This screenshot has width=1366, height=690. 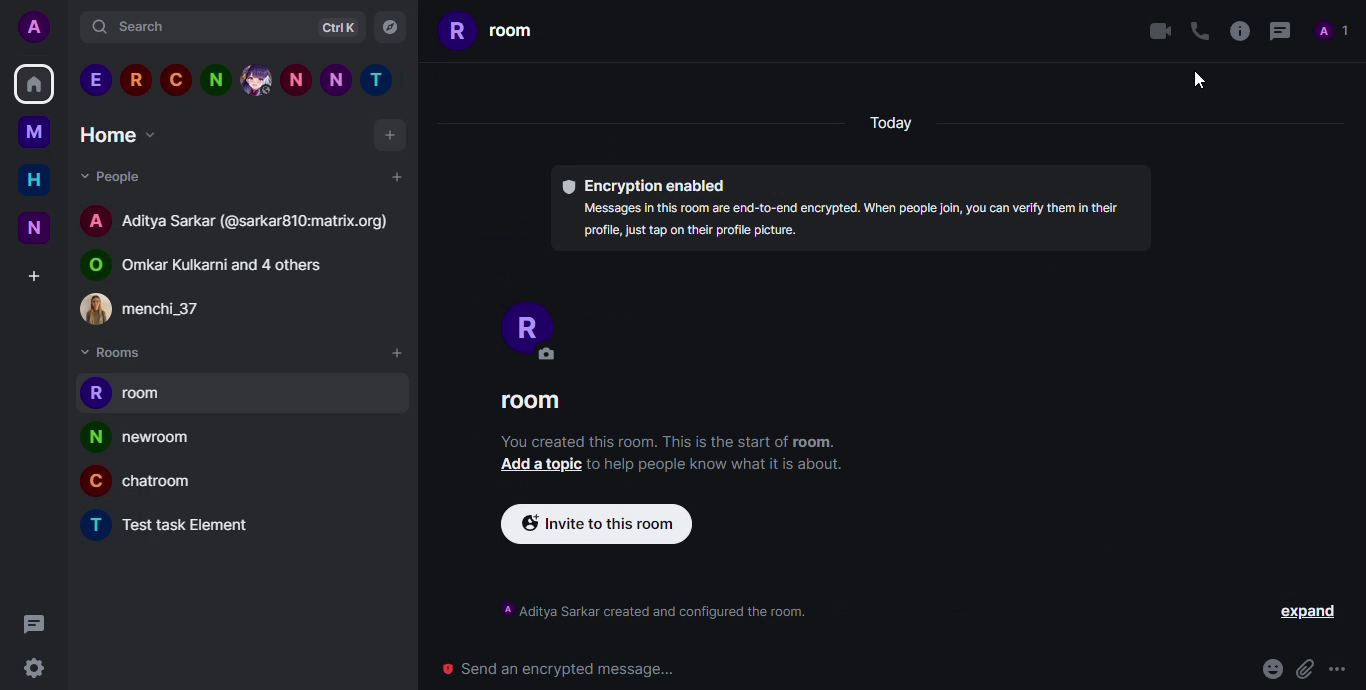 What do you see at coordinates (893, 128) in the screenshot?
I see `today` at bounding box center [893, 128].